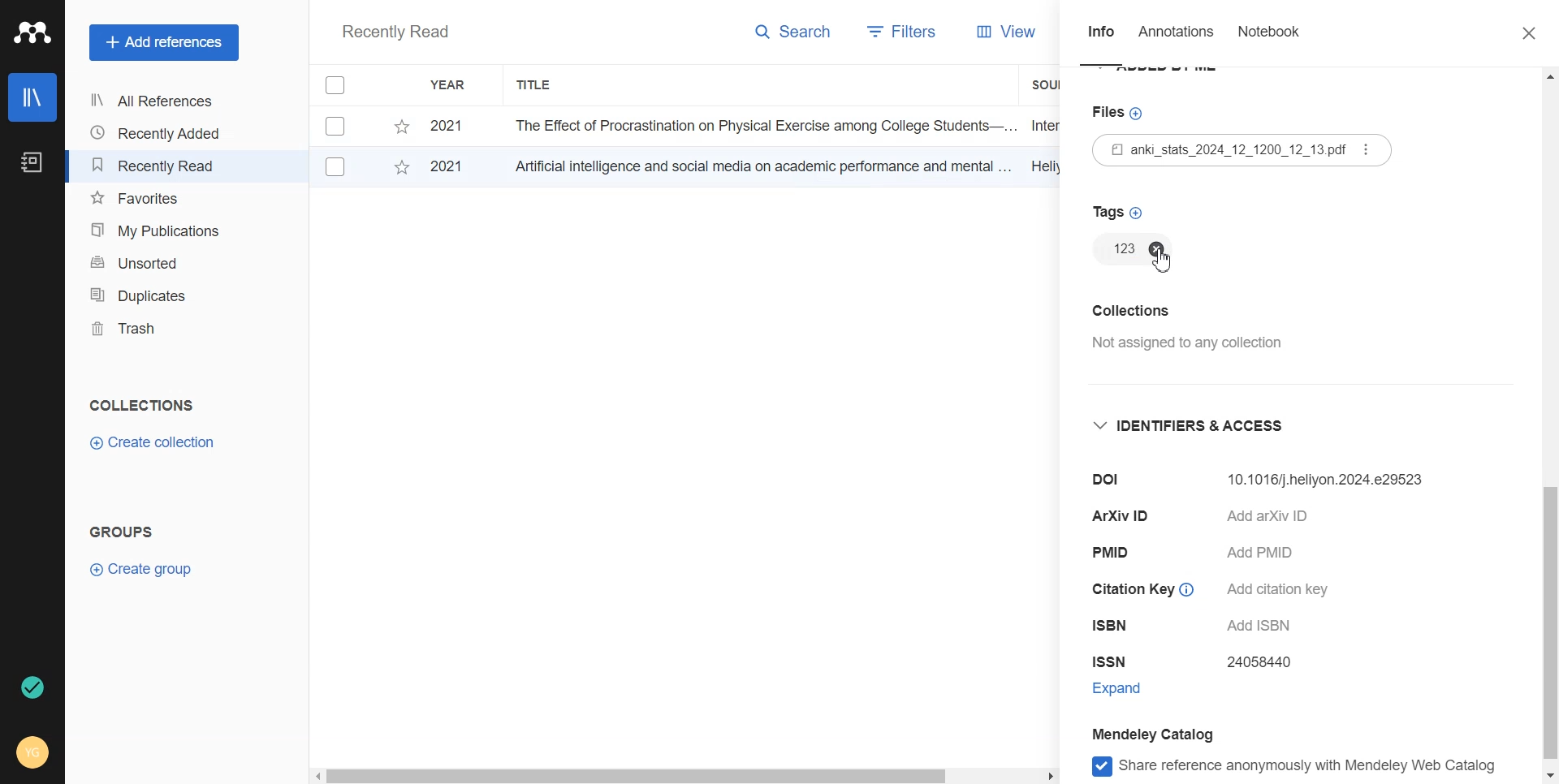 This screenshot has width=1559, height=784. Describe the element at coordinates (34, 751) in the screenshot. I see `Account` at that location.